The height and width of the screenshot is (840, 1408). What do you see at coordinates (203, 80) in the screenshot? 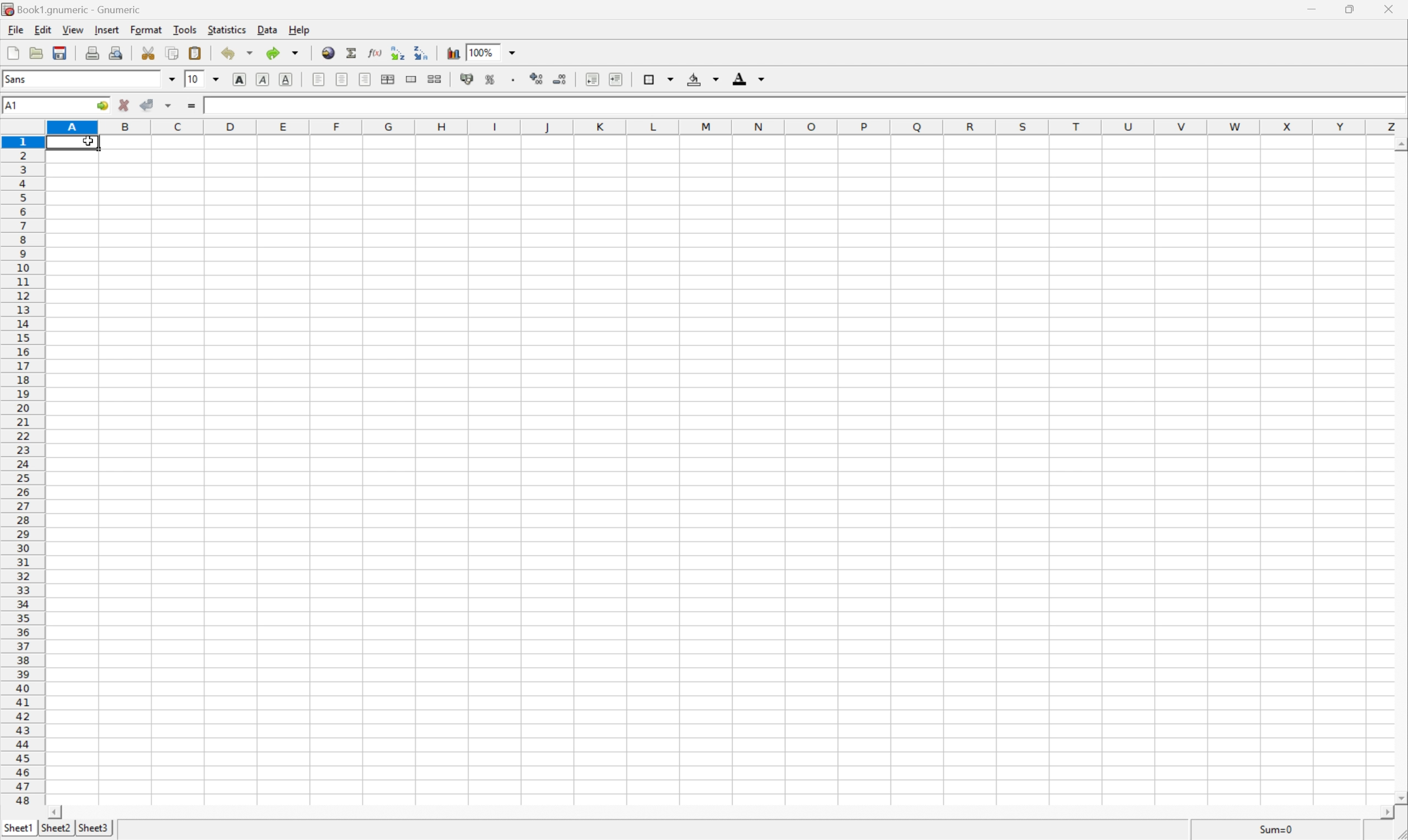
I see `Font size 10` at bounding box center [203, 80].